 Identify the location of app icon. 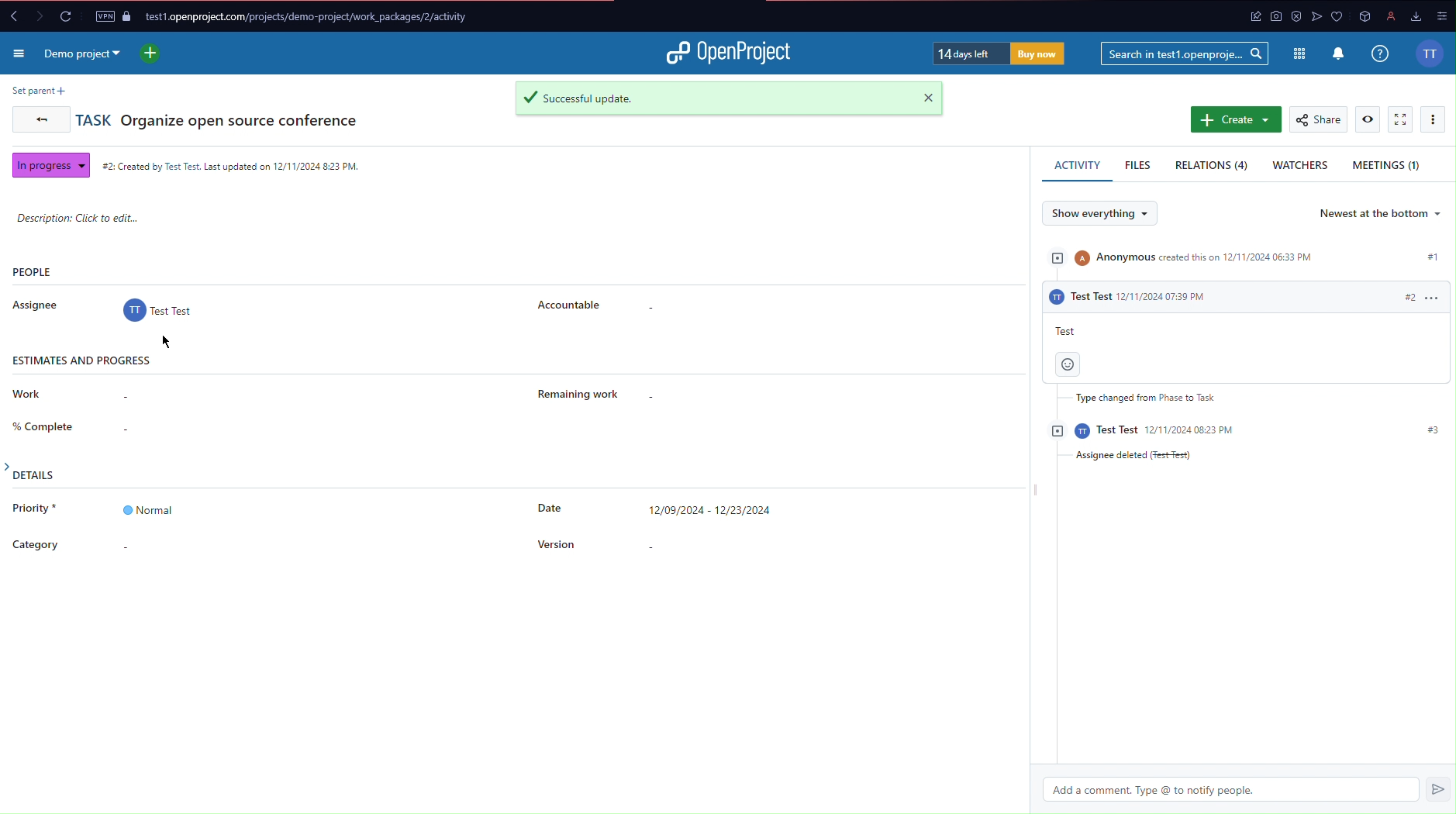
(1269, 16).